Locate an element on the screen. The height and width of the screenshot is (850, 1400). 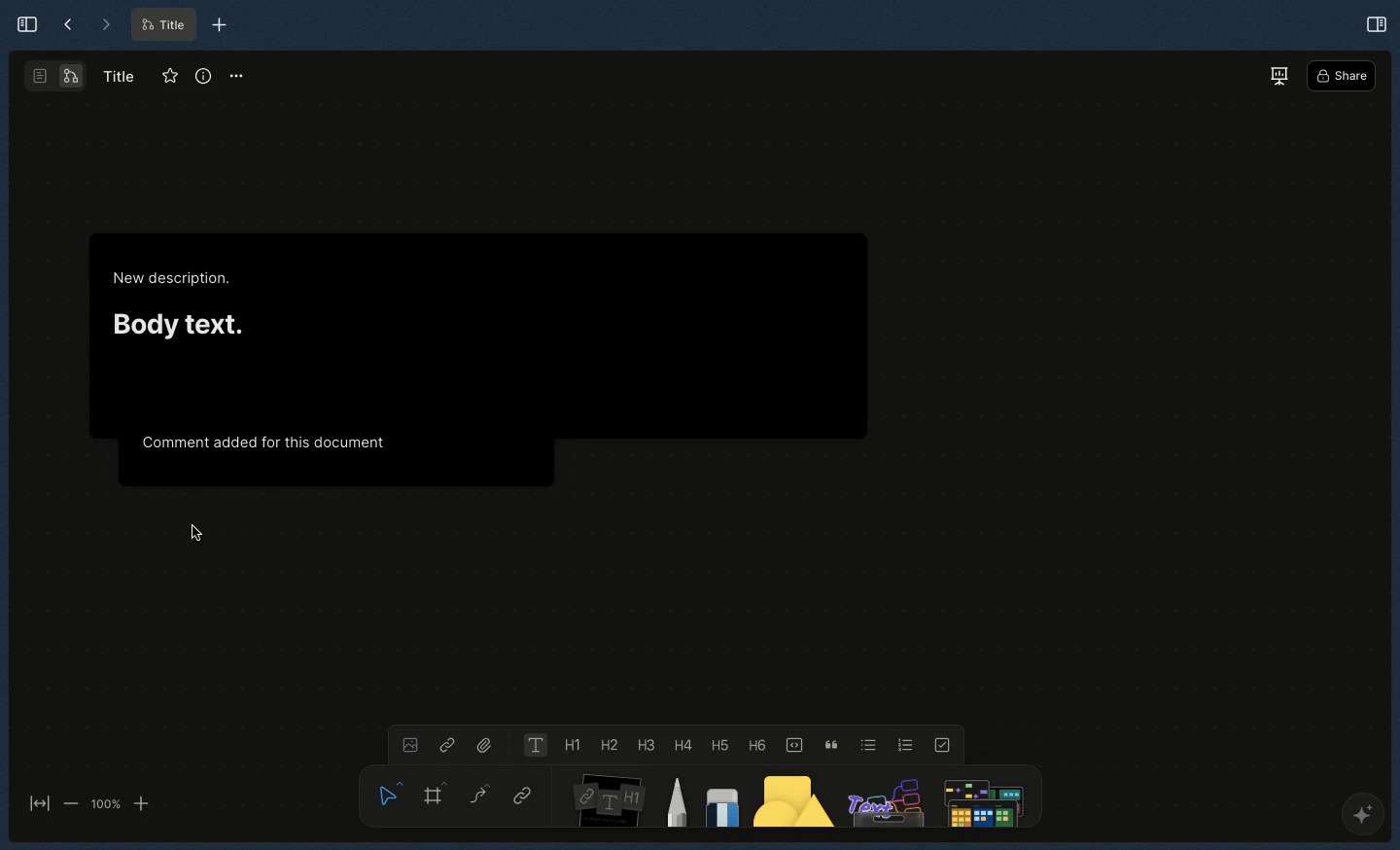
Heading 5 is located at coordinates (717, 744).